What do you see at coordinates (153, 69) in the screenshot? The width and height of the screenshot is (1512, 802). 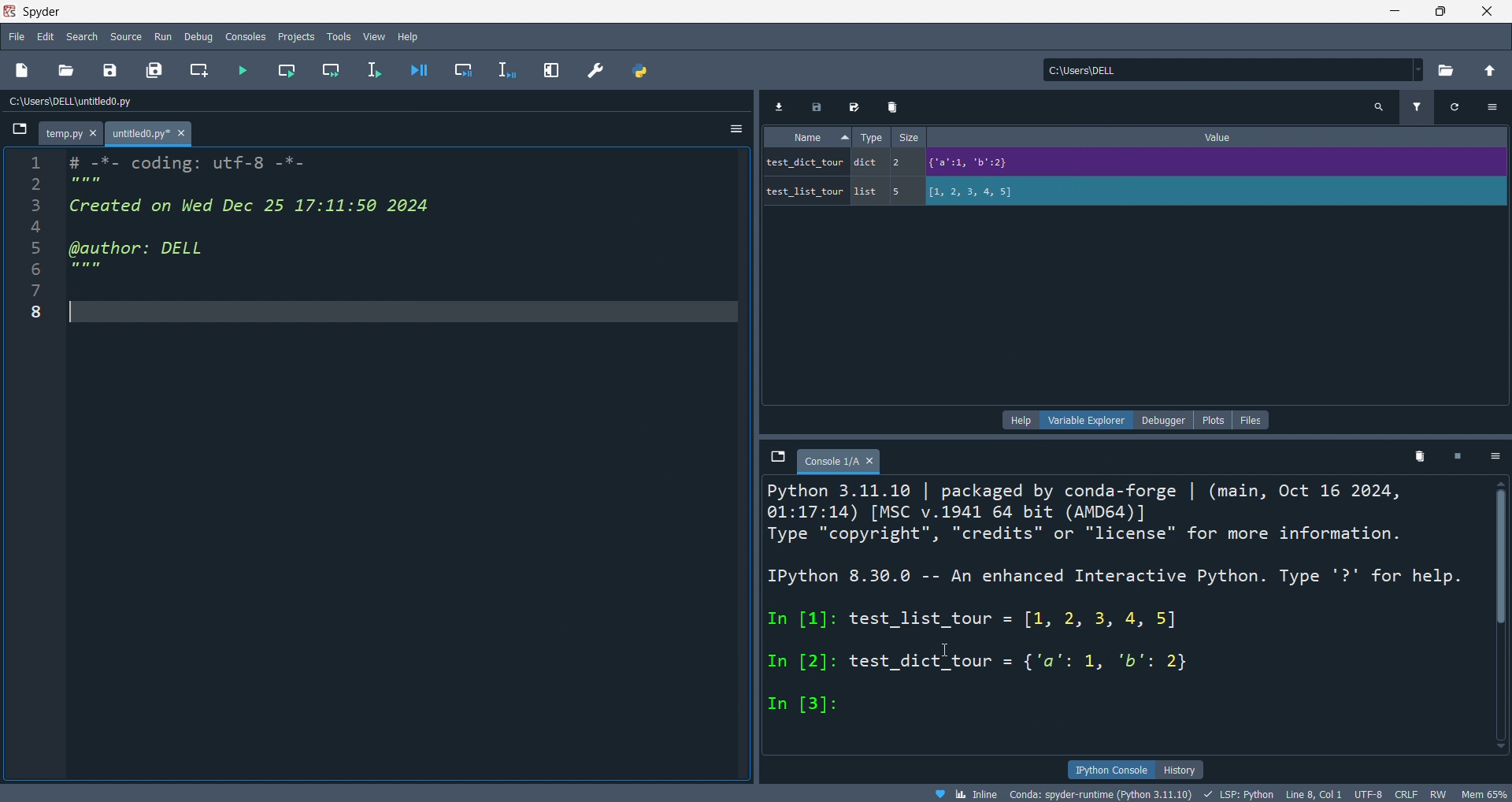 I see `save all file` at bounding box center [153, 69].